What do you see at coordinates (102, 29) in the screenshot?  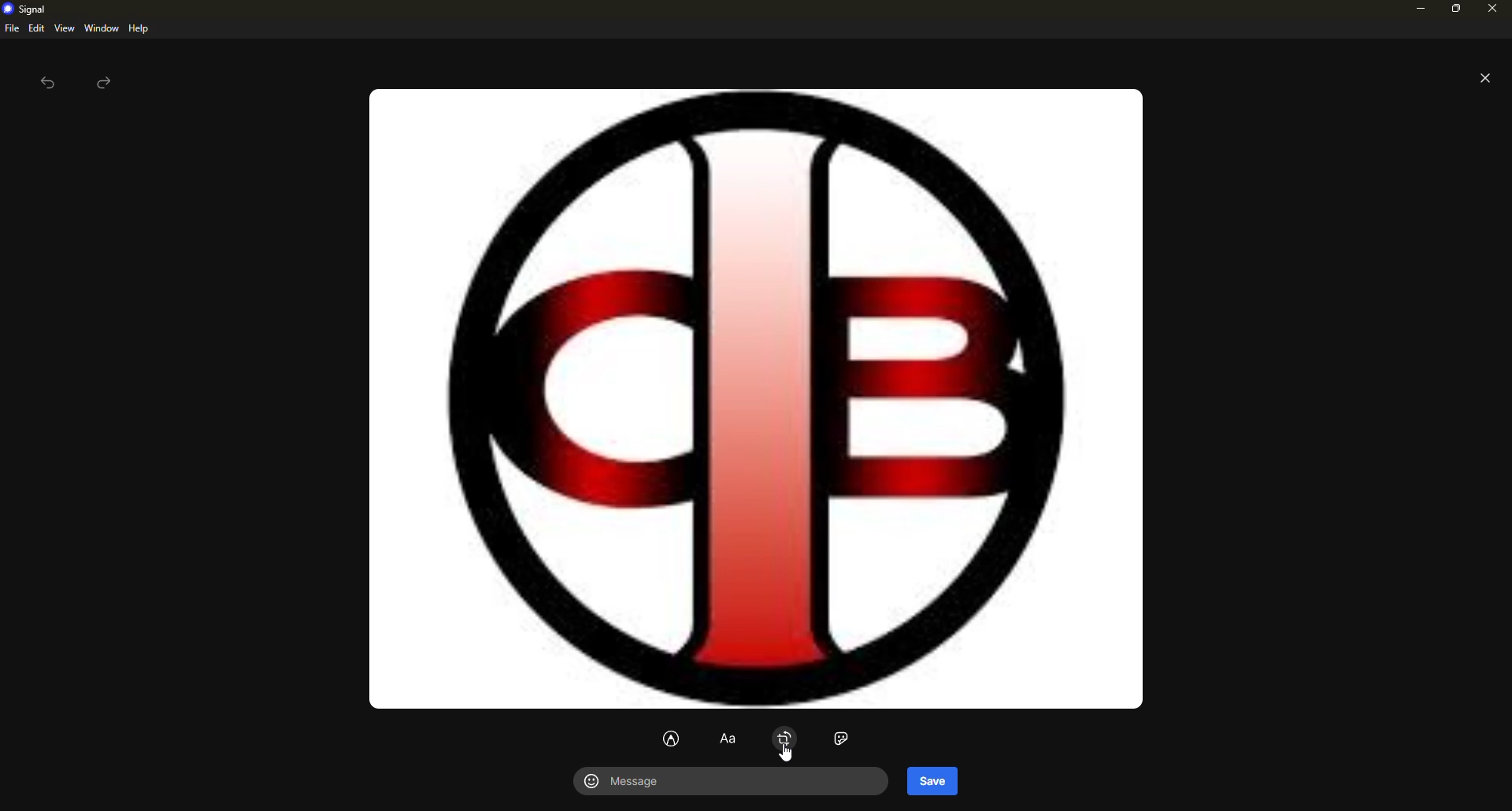 I see `window` at bounding box center [102, 29].